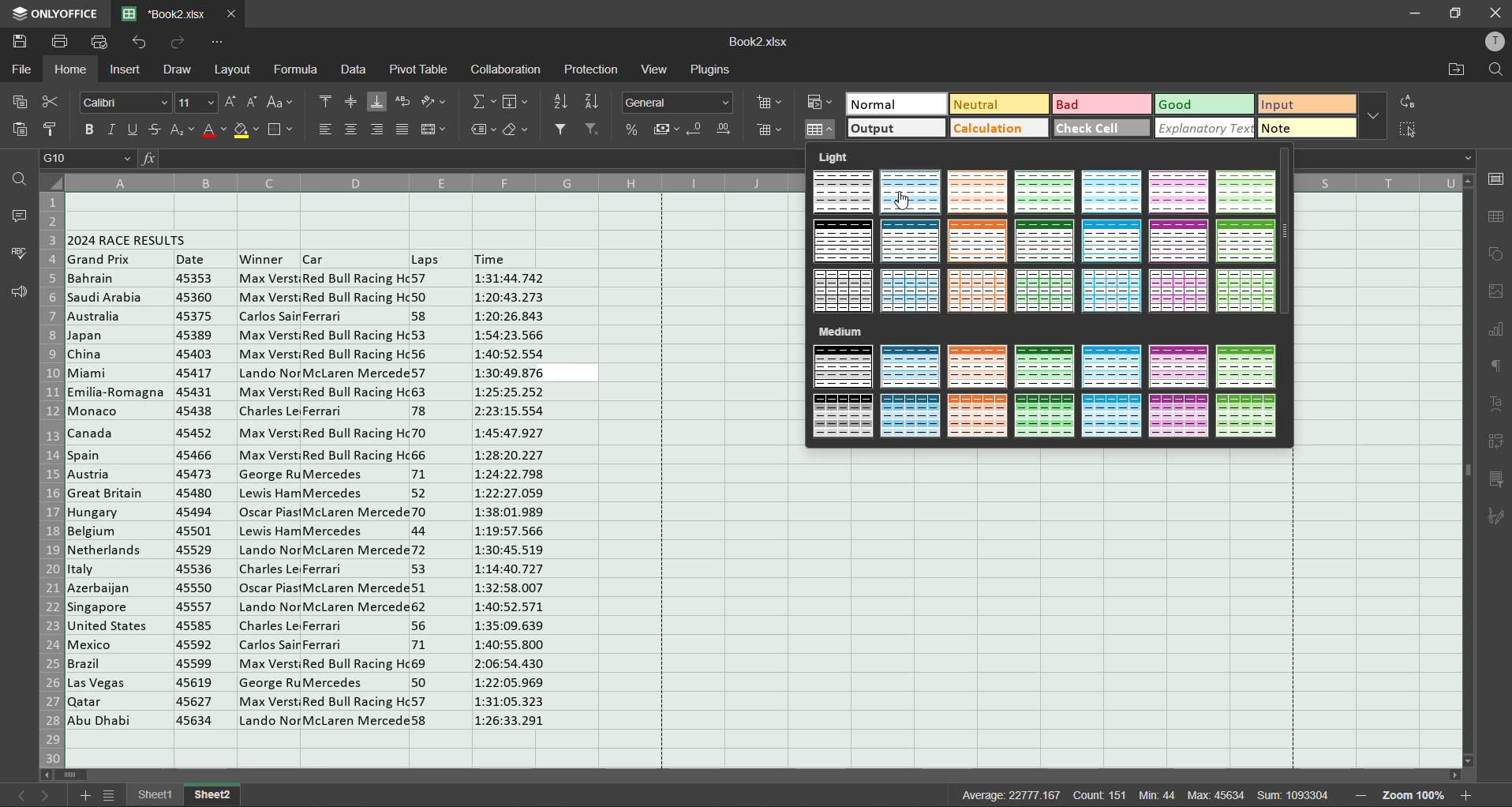 The height and width of the screenshot is (807, 1512). I want to click on align middle, so click(350, 103).